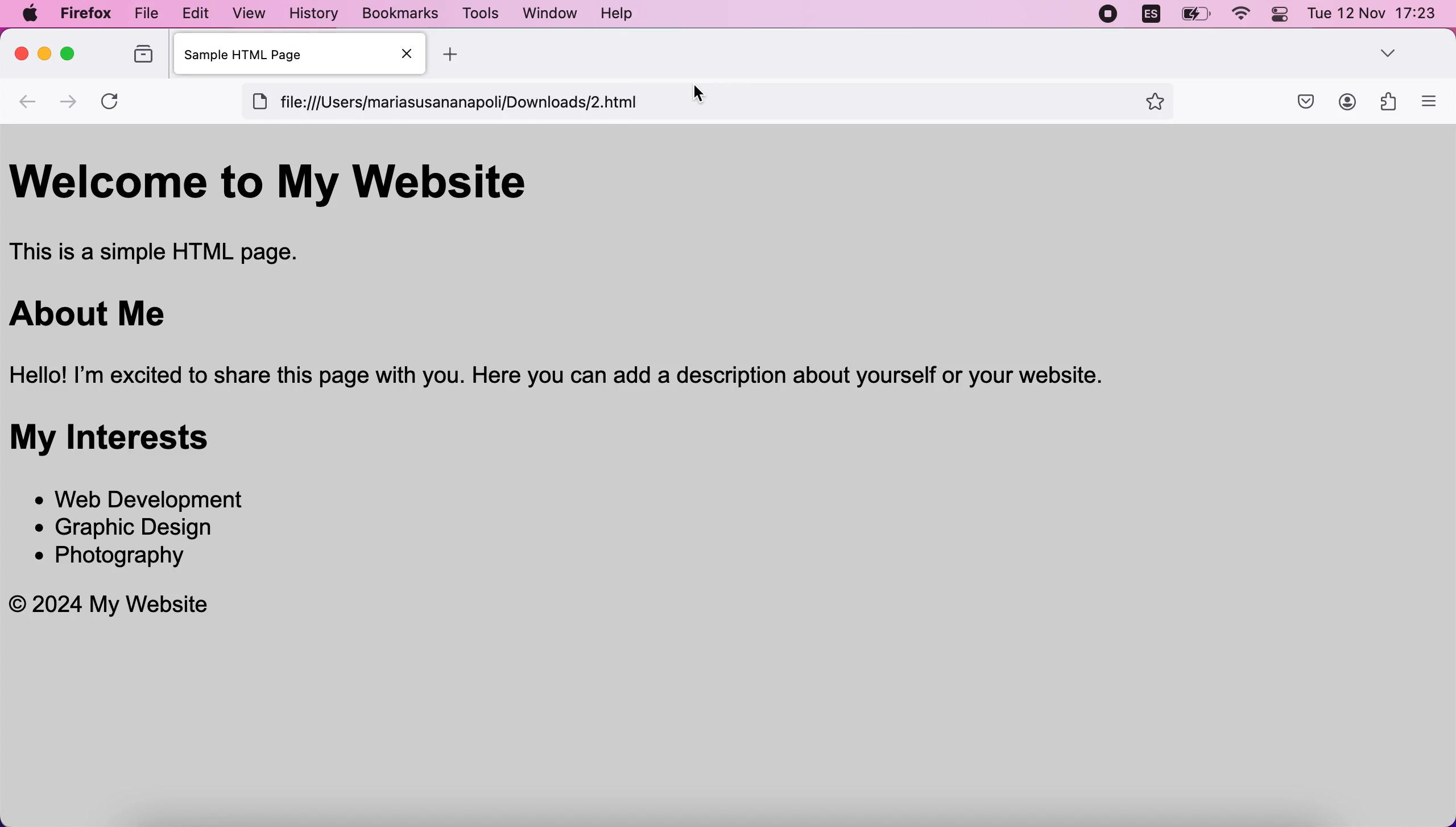 This screenshot has height=827, width=1456. What do you see at coordinates (1192, 18) in the screenshot?
I see `battery` at bounding box center [1192, 18].